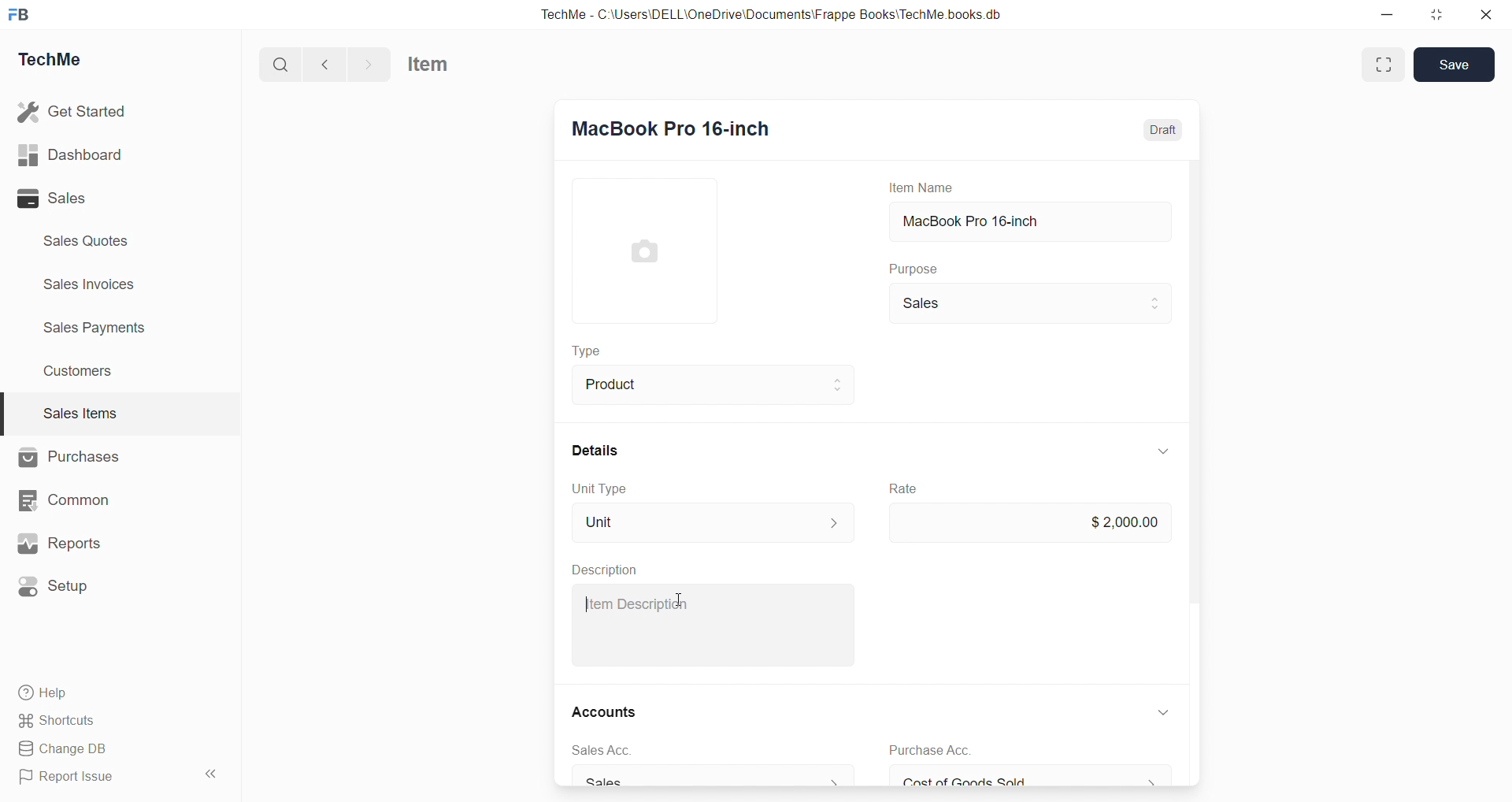 The height and width of the screenshot is (802, 1512). I want to click on Rate, so click(902, 488).